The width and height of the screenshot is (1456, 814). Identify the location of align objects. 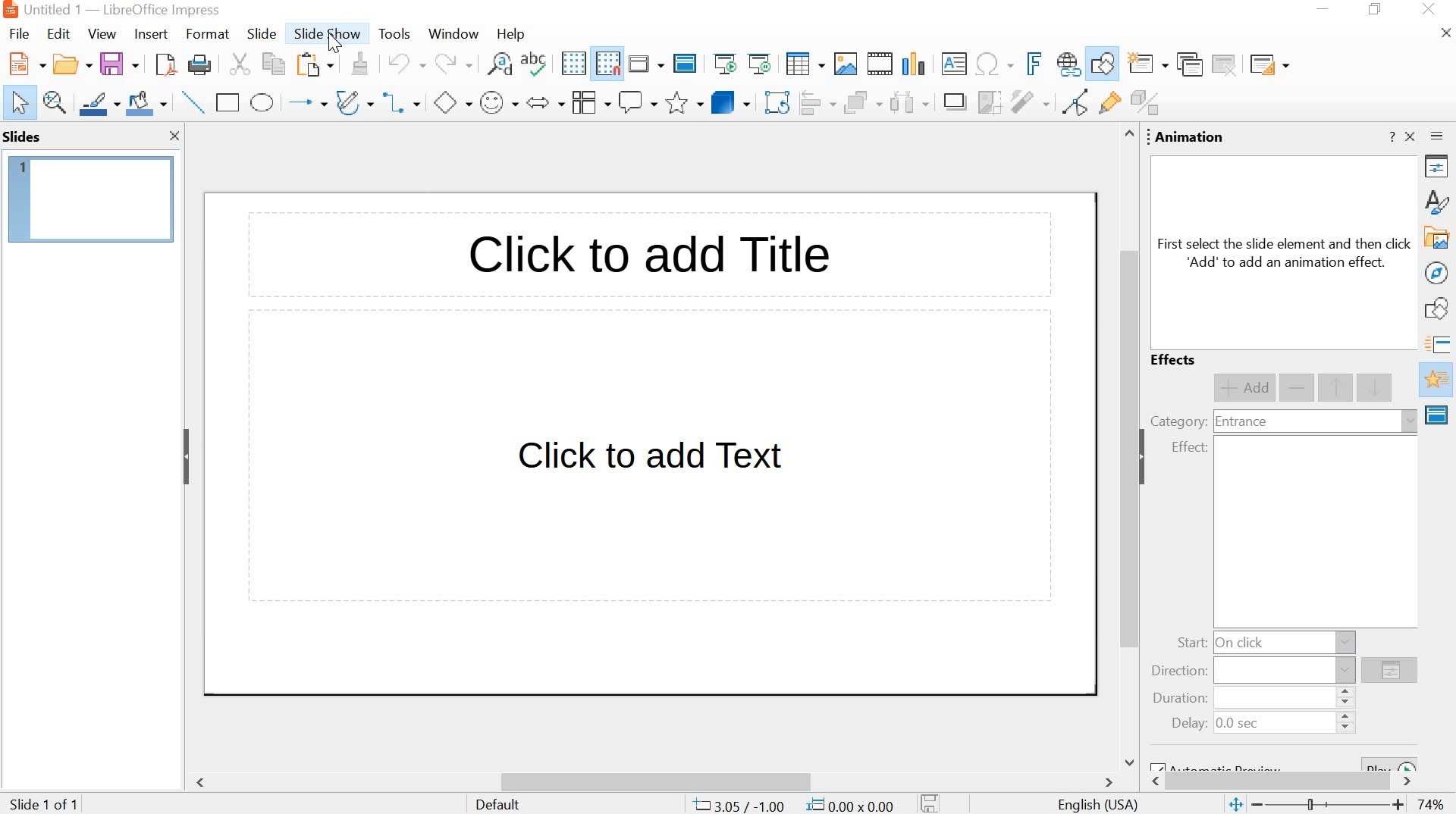
(817, 104).